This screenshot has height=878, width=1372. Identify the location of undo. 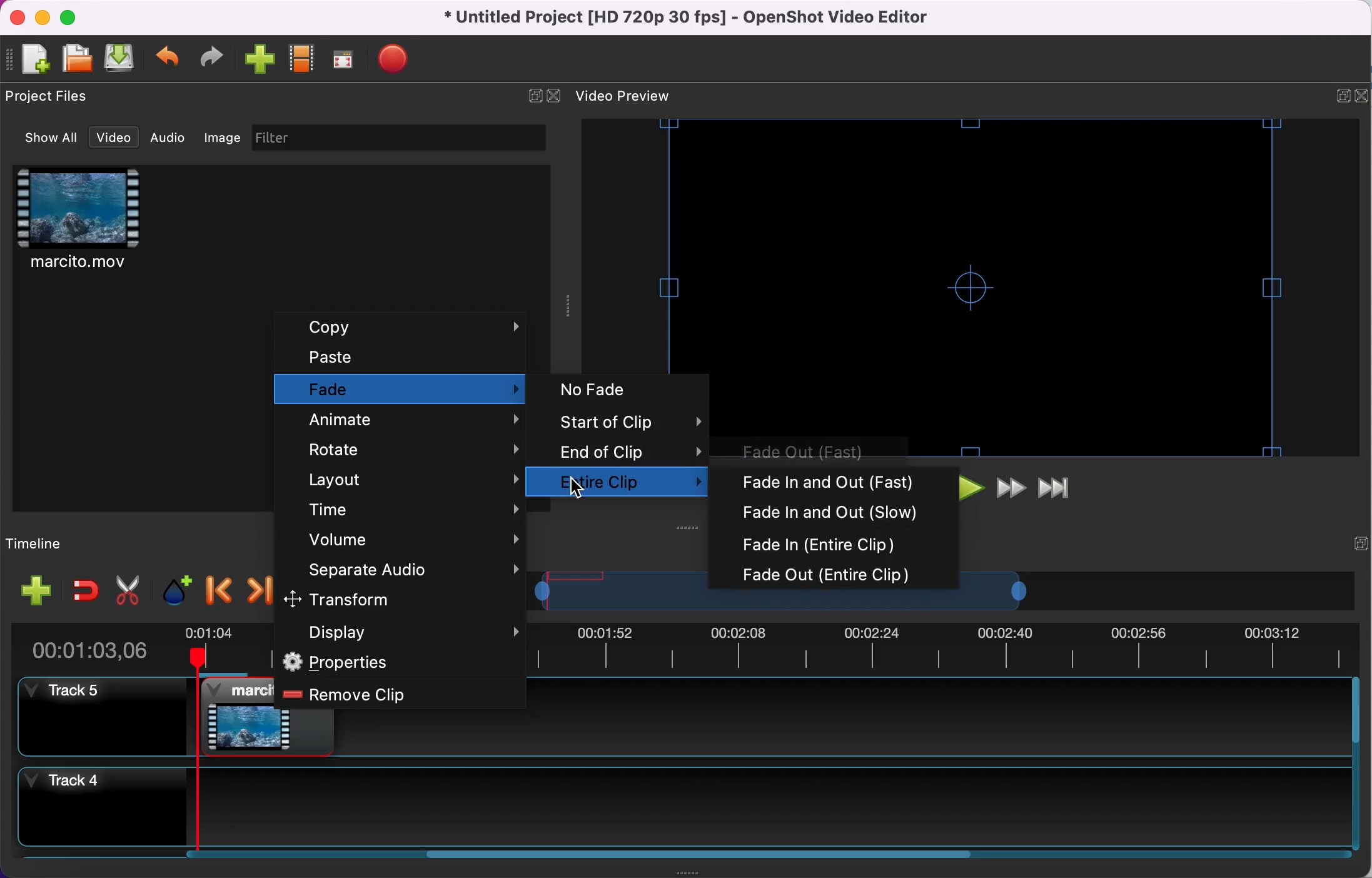
(164, 58).